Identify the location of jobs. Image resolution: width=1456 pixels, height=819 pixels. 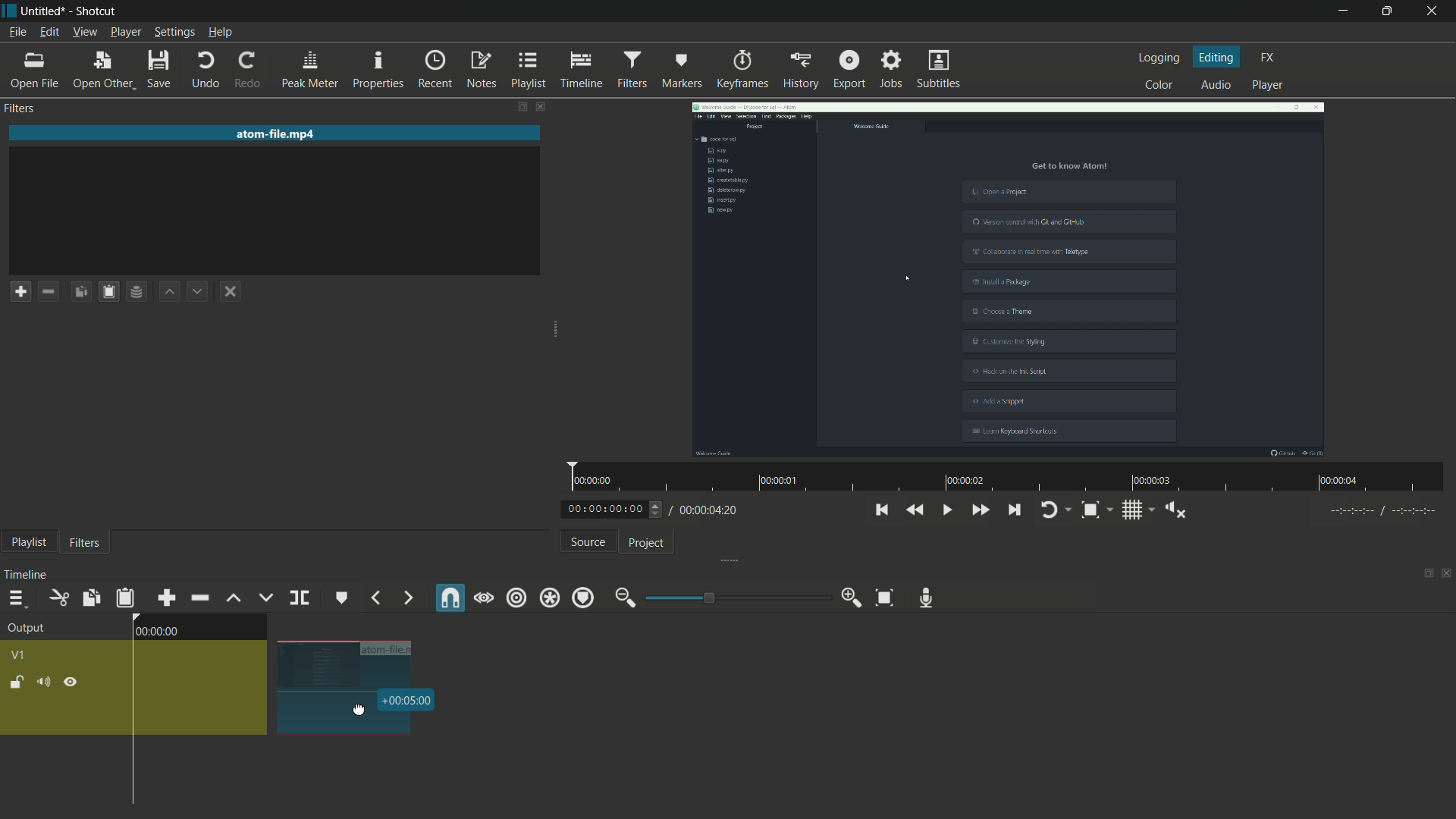
(891, 71).